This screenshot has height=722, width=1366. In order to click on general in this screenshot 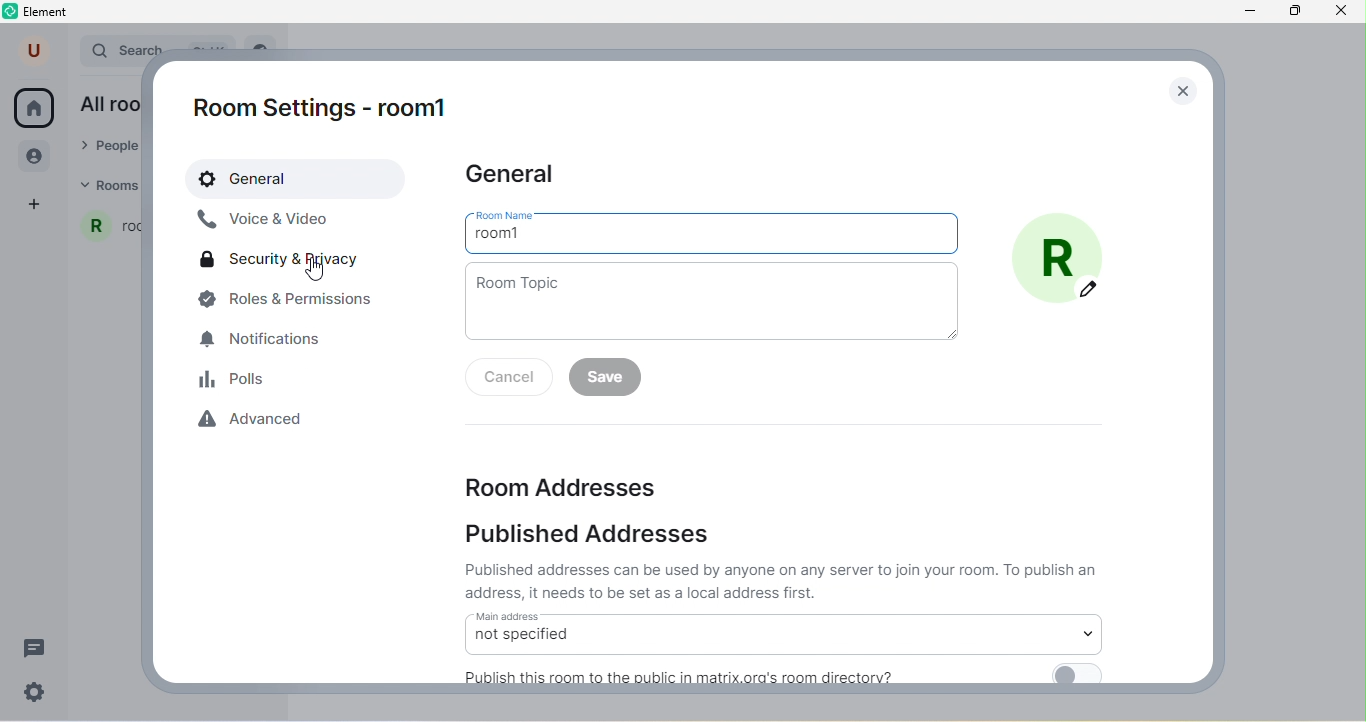, I will do `click(301, 179)`.